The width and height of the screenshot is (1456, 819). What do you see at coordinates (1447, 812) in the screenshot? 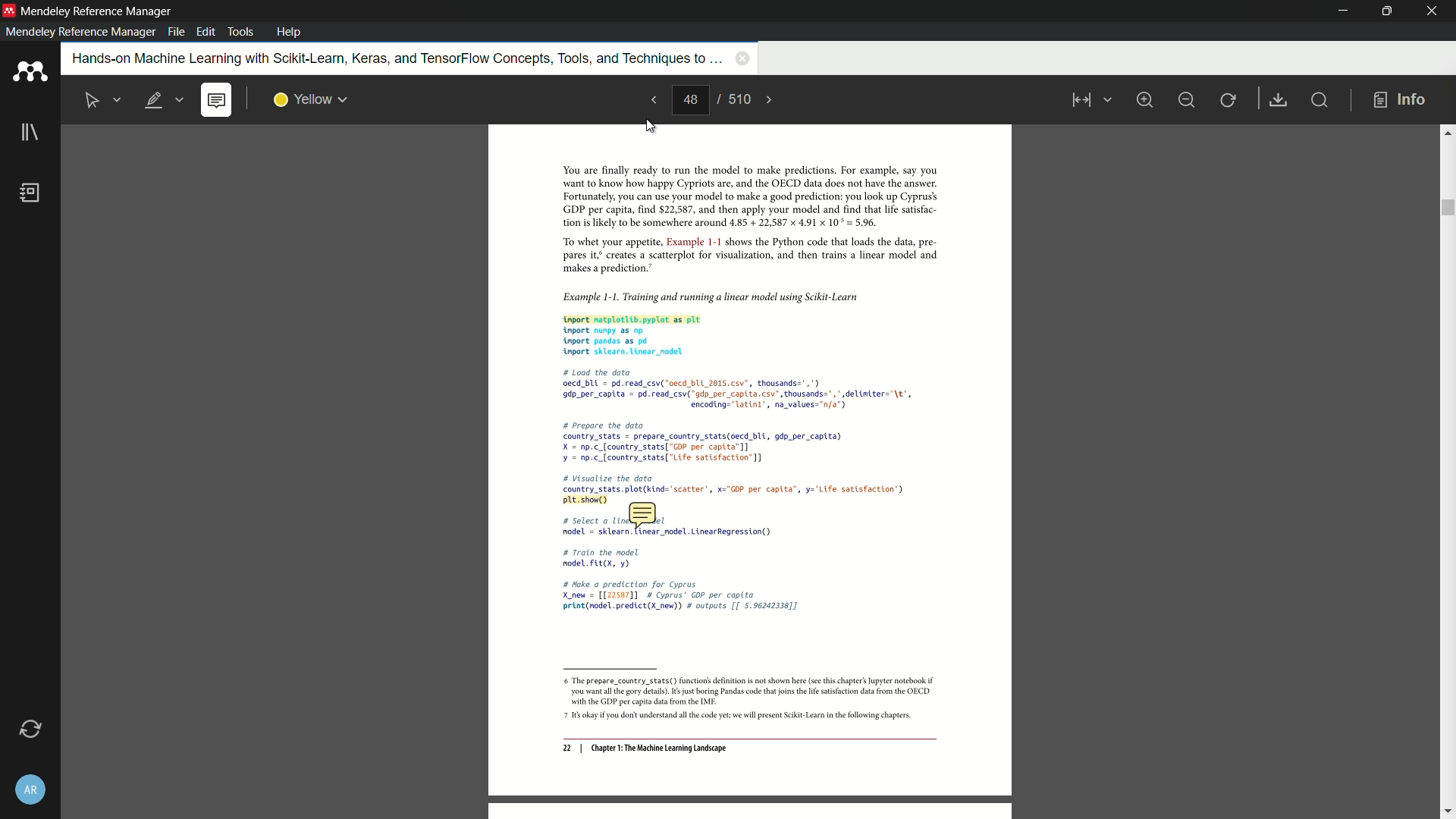
I see `scroll down` at bounding box center [1447, 812].